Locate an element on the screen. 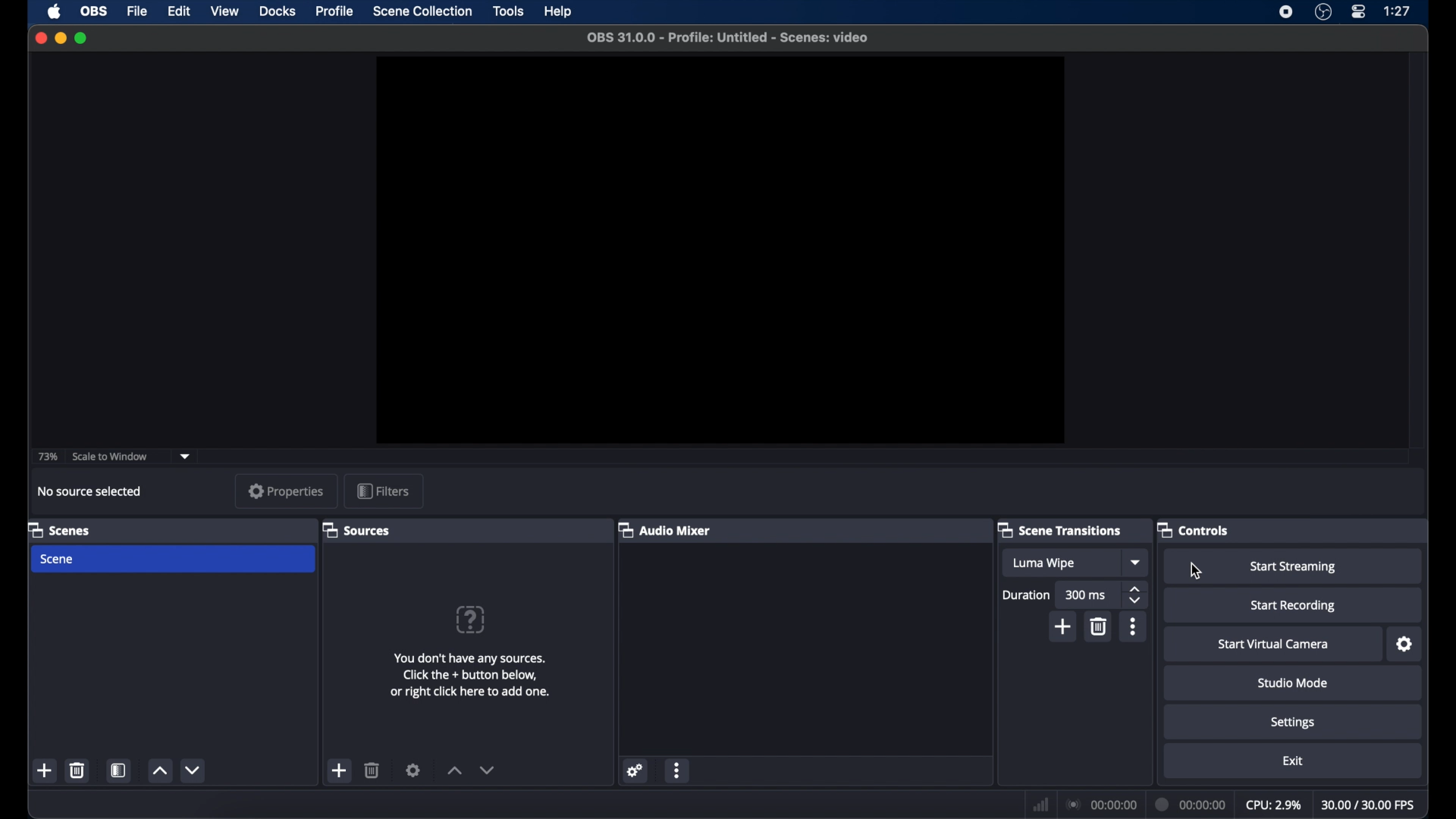 The height and width of the screenshot is (819, 1456). view is located at coordinates (226, 11).